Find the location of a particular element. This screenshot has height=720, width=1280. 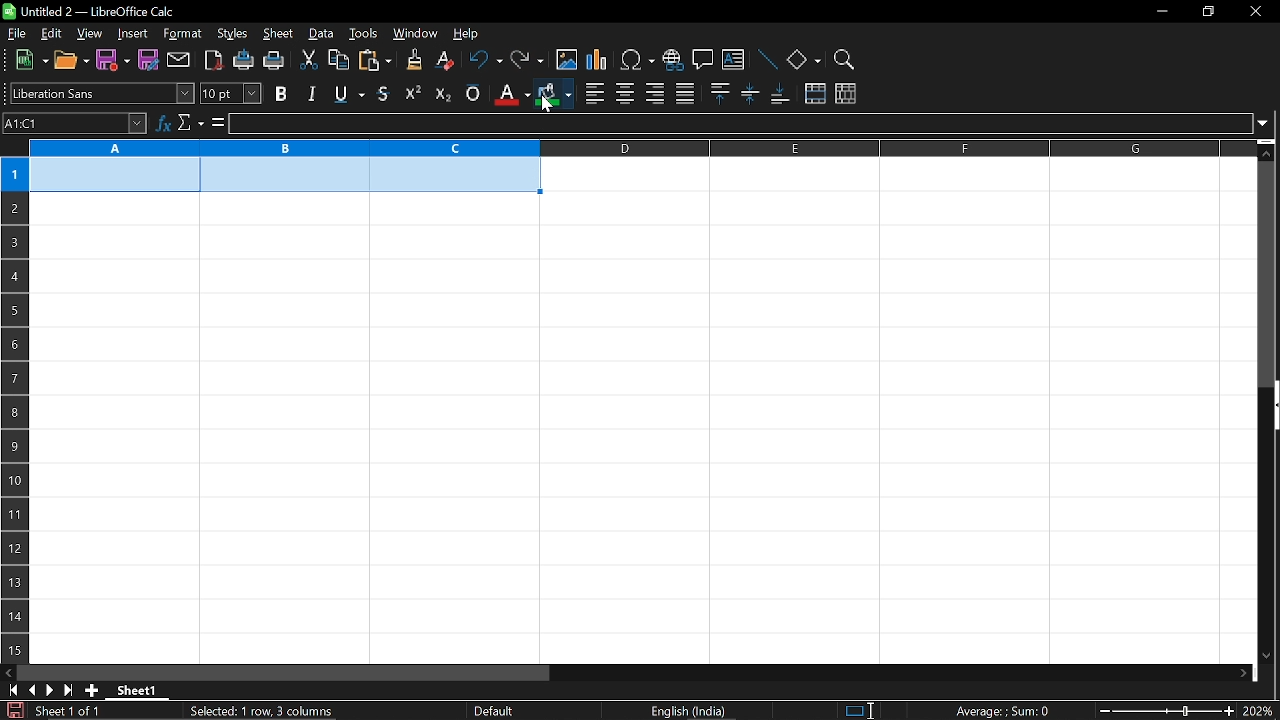

save  is located at coordinates (12, 710).